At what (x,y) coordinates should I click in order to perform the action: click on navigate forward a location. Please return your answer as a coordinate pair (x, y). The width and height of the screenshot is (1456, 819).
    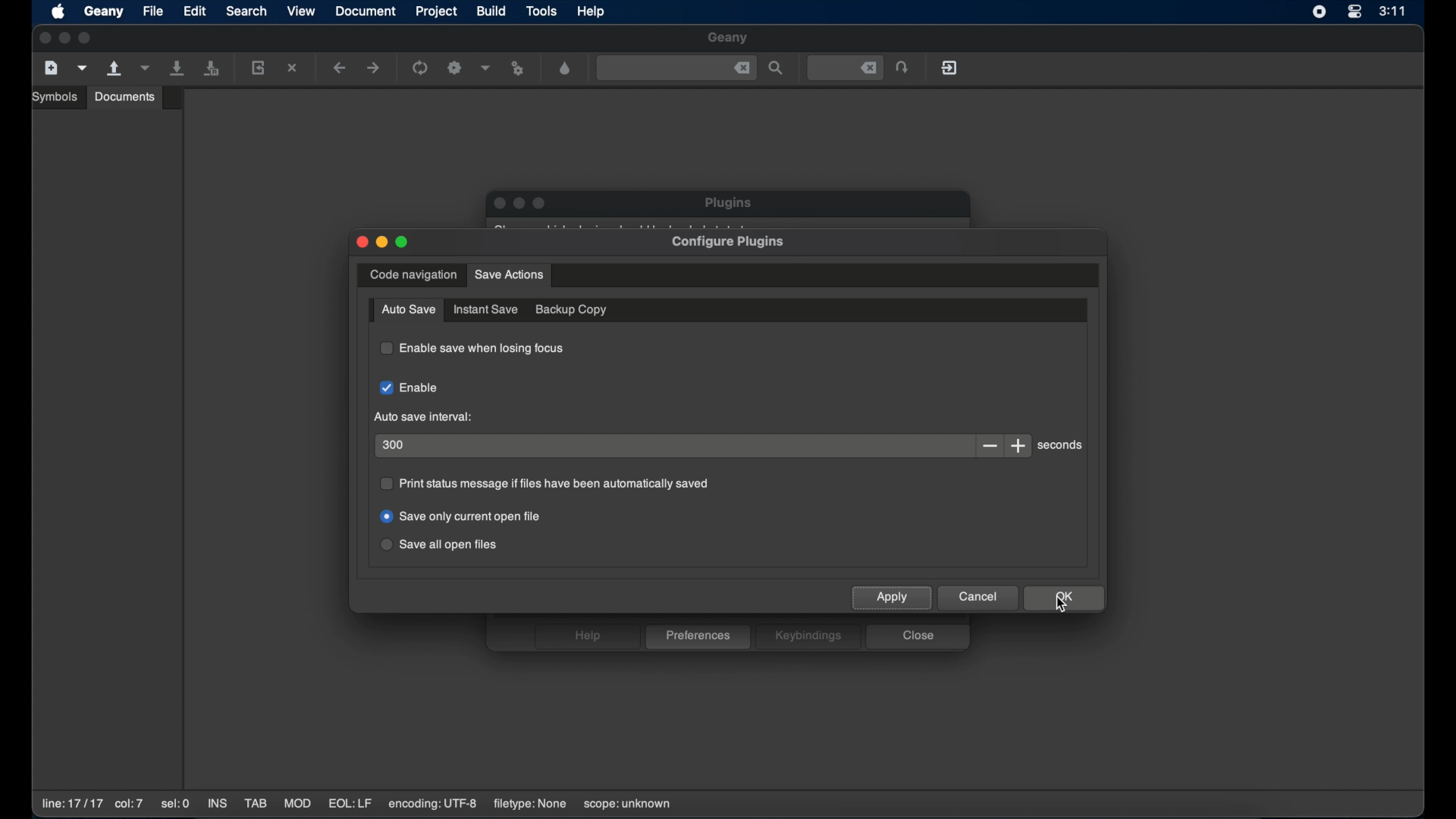
    Looking at the image, I should click on (374, 68).